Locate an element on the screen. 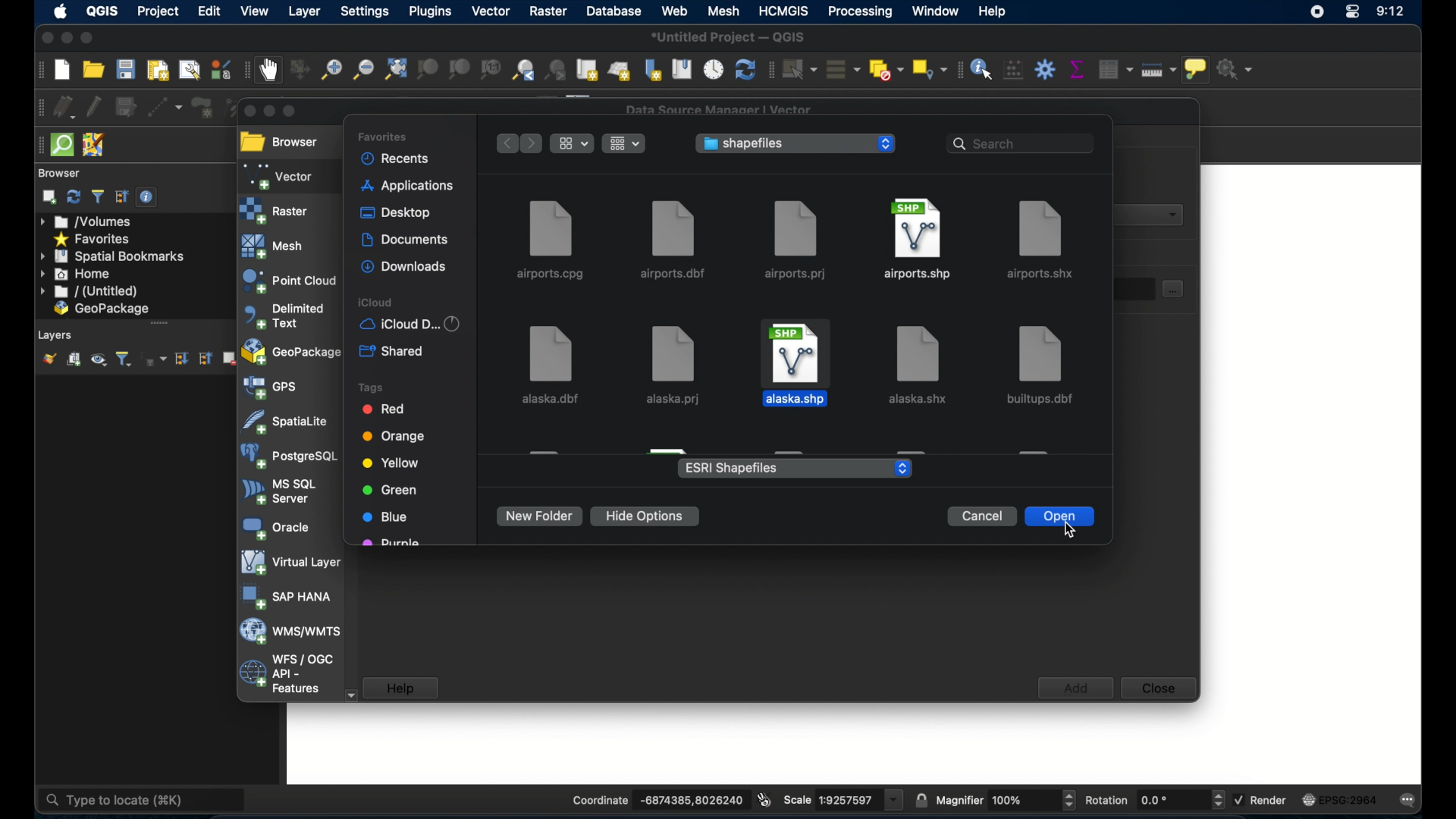 This screenshot has width=1456, height=819. raster is located at coordinates (275, 210).